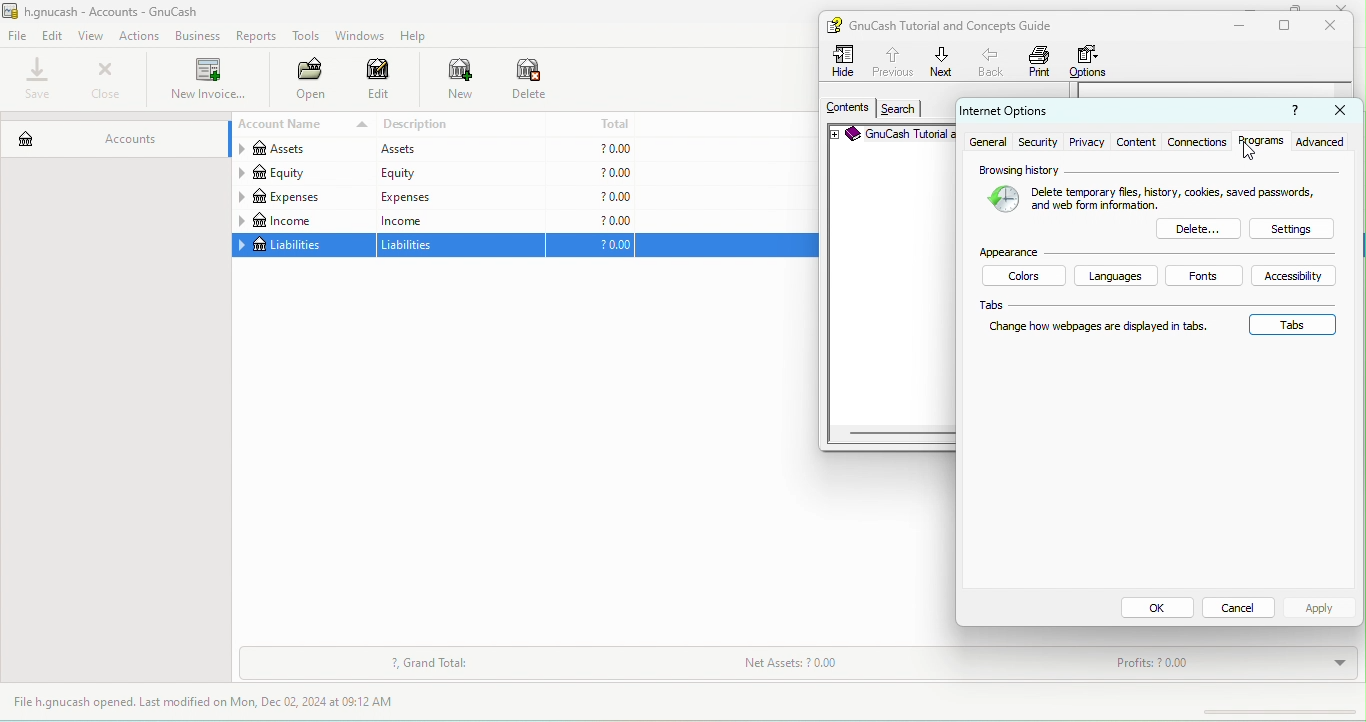  What do you see at coordinates (258, 36) in the screenshot?
I see `reports` at bounding box center [258, 36].